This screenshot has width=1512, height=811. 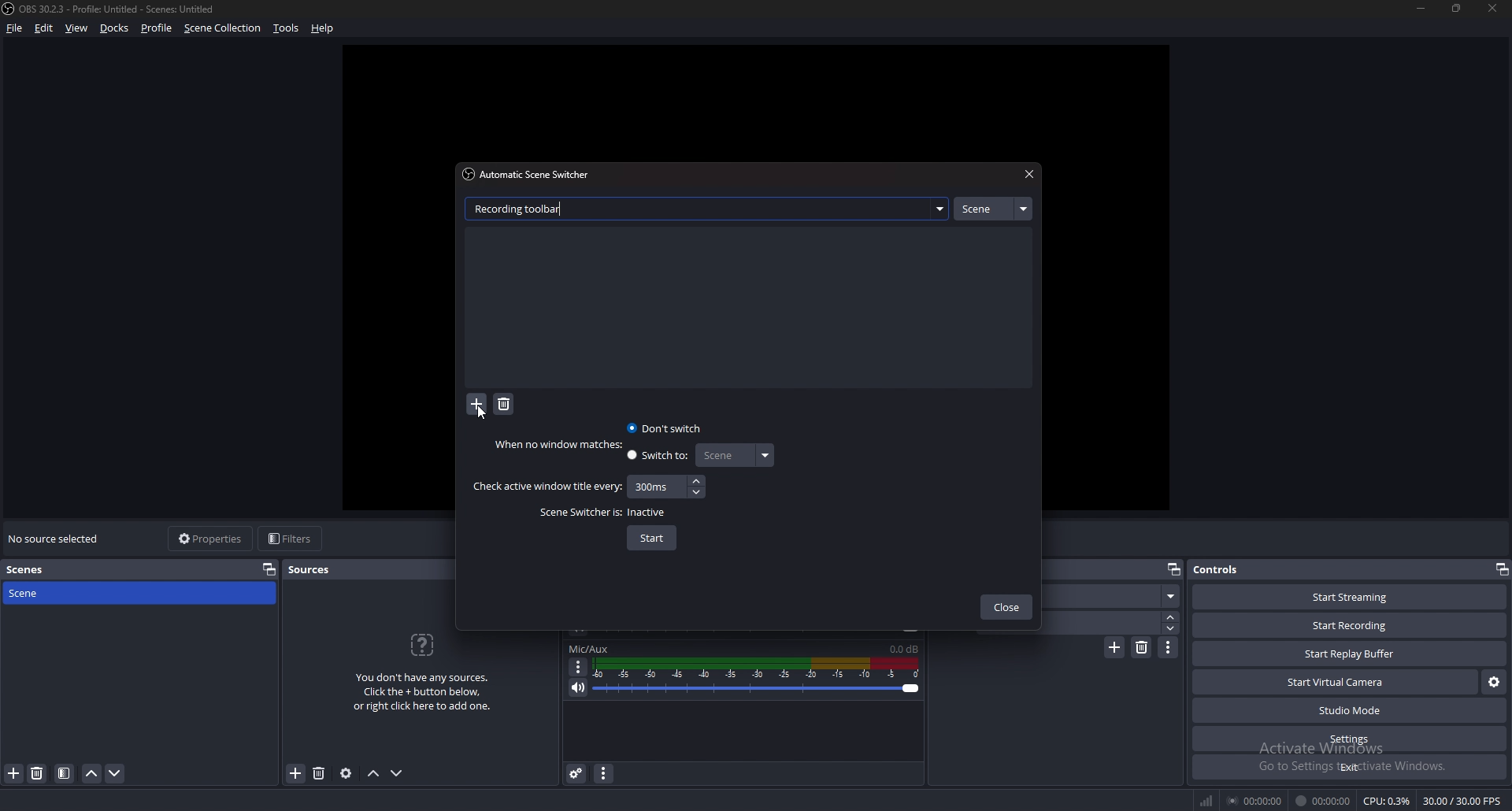 I want to click on time, so click(x=653, y=486).